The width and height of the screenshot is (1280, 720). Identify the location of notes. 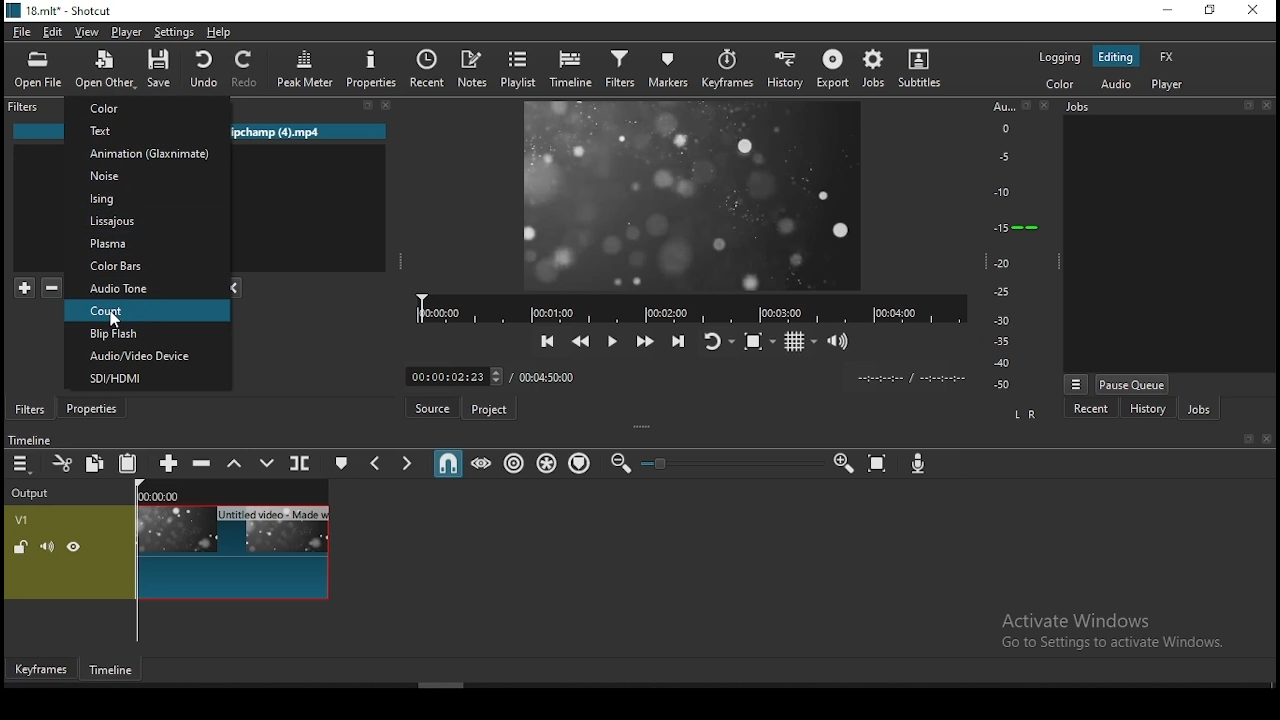
(476, 67).